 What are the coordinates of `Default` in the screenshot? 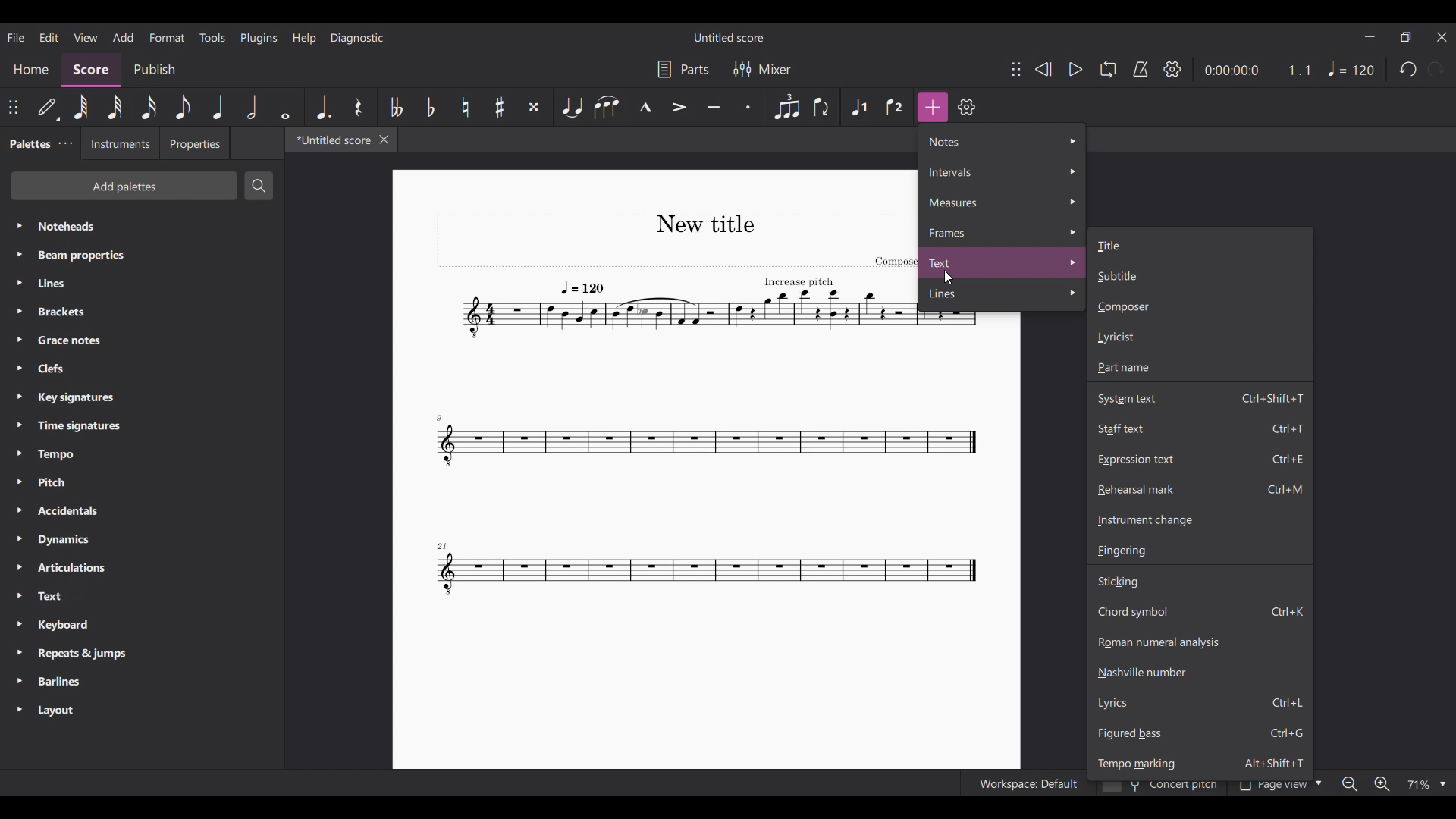 It's located at (47, 107).